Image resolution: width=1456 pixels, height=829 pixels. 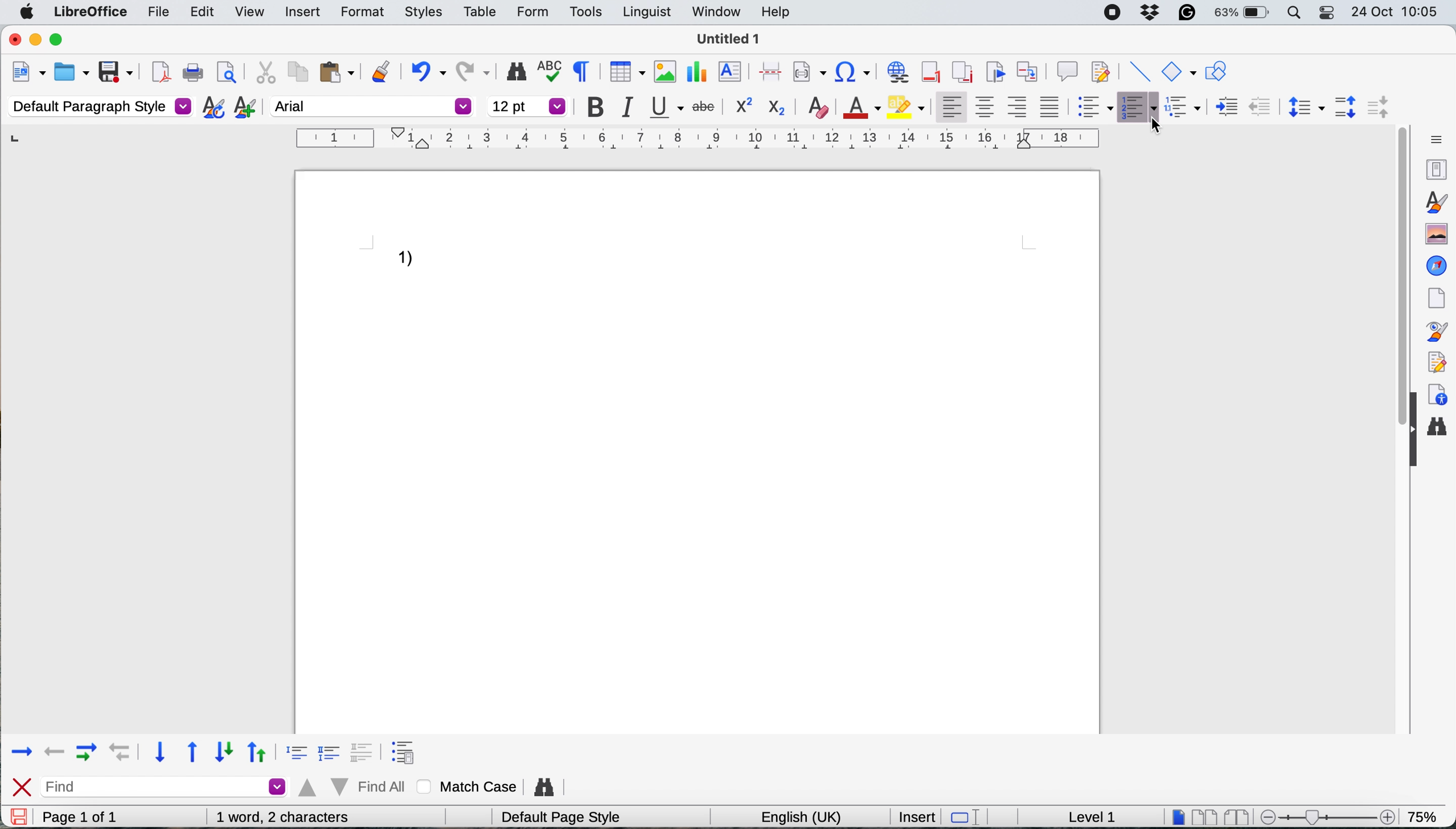 What do you see at coordinates (716, 14) in the screenshot?
I see `window` at bounding box center [716, 14].